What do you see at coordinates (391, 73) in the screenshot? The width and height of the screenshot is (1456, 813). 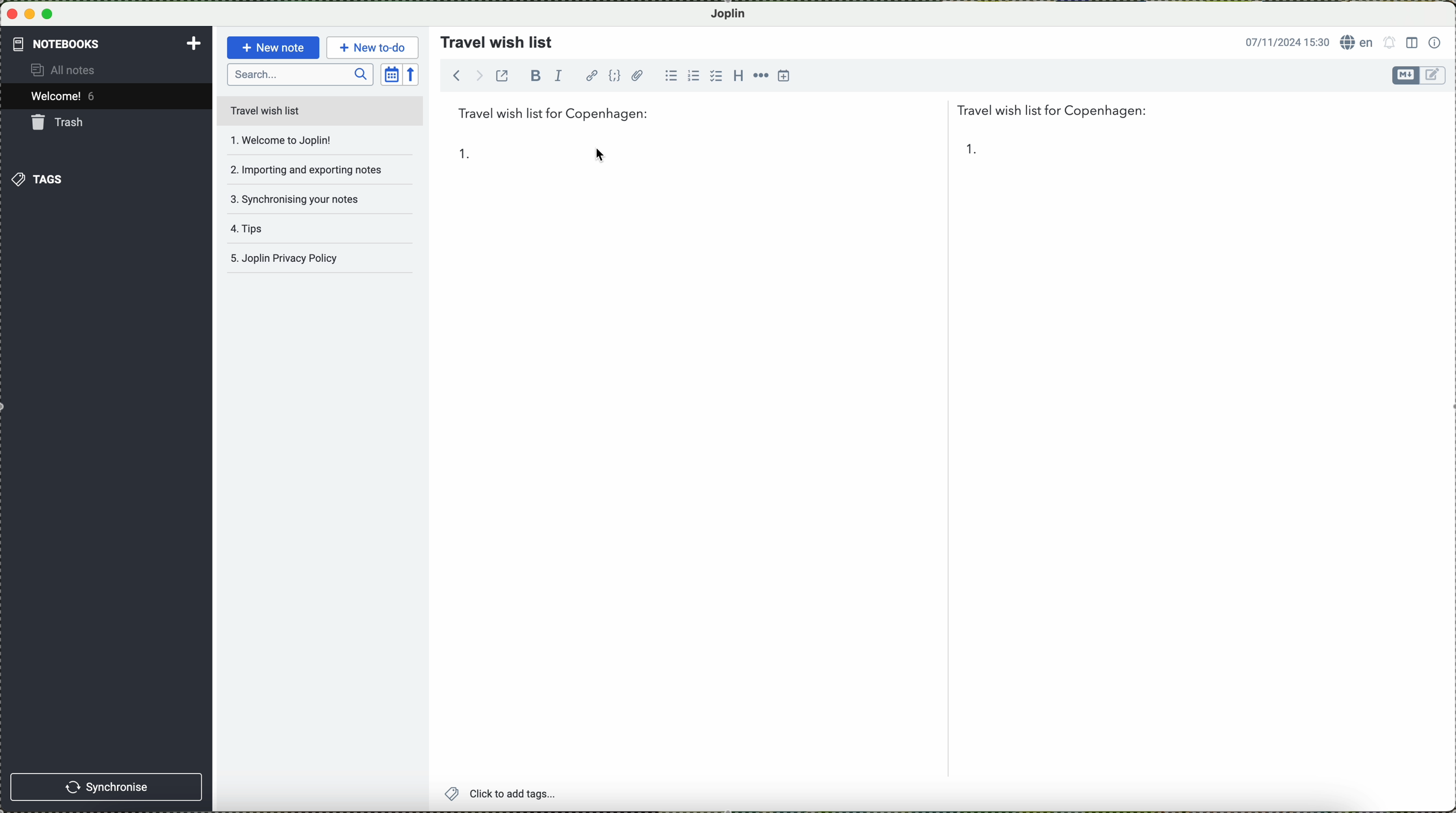 I see `toggle sort order field` at bounding box center [391, 73].